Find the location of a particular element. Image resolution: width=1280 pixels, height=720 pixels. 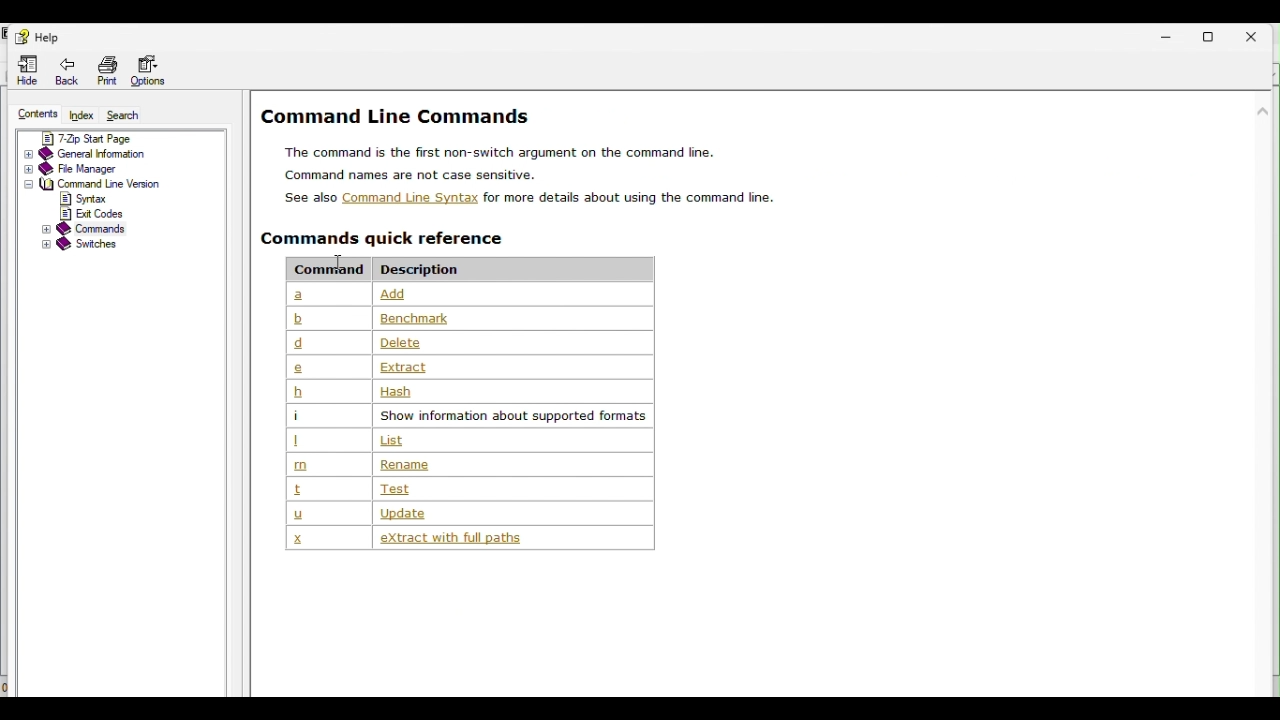

text is located at coordinates (310, 198).